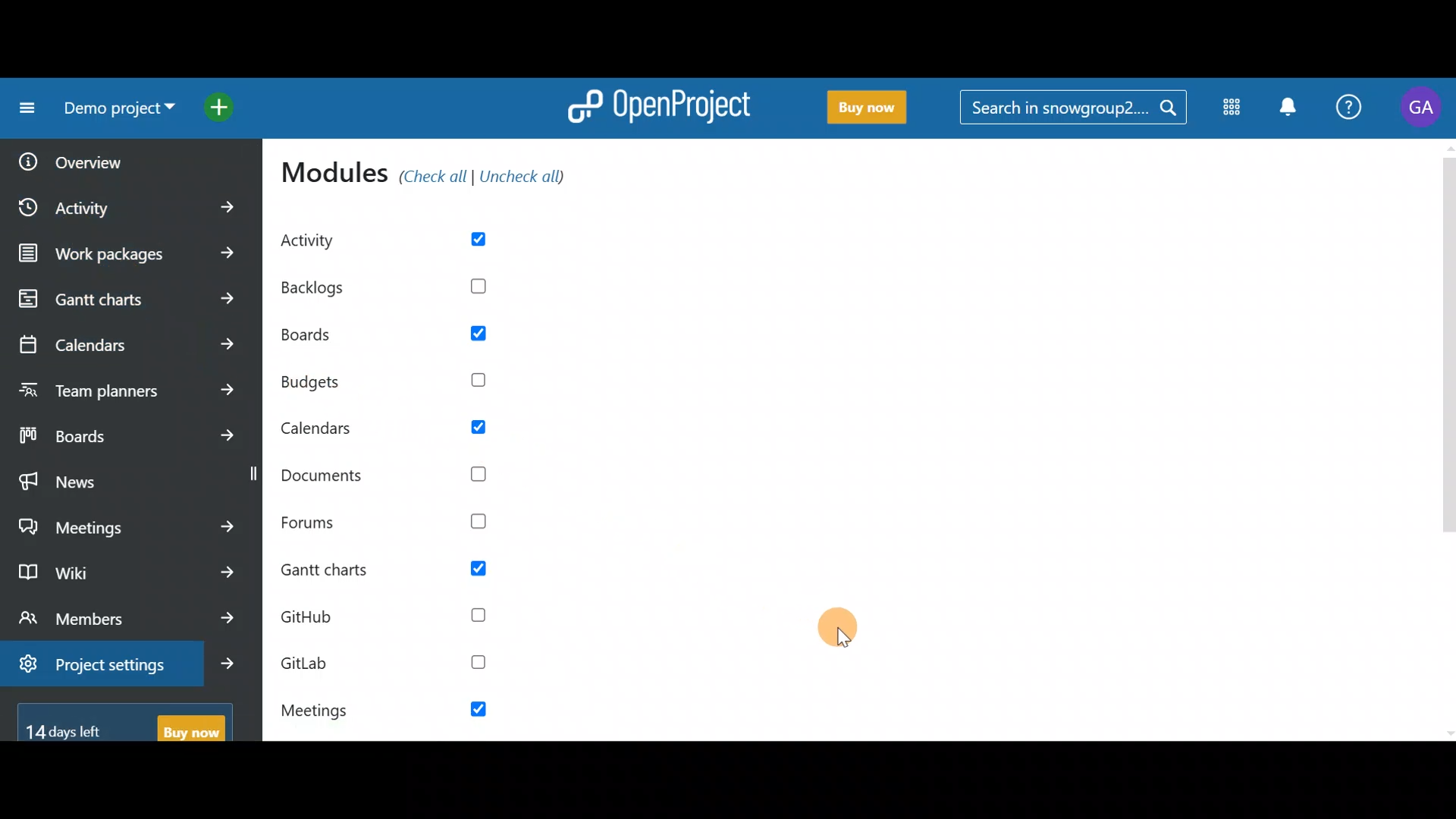  Describe the element at coordinates (125, 433) in the screenshot. I see `Boards` at that location.